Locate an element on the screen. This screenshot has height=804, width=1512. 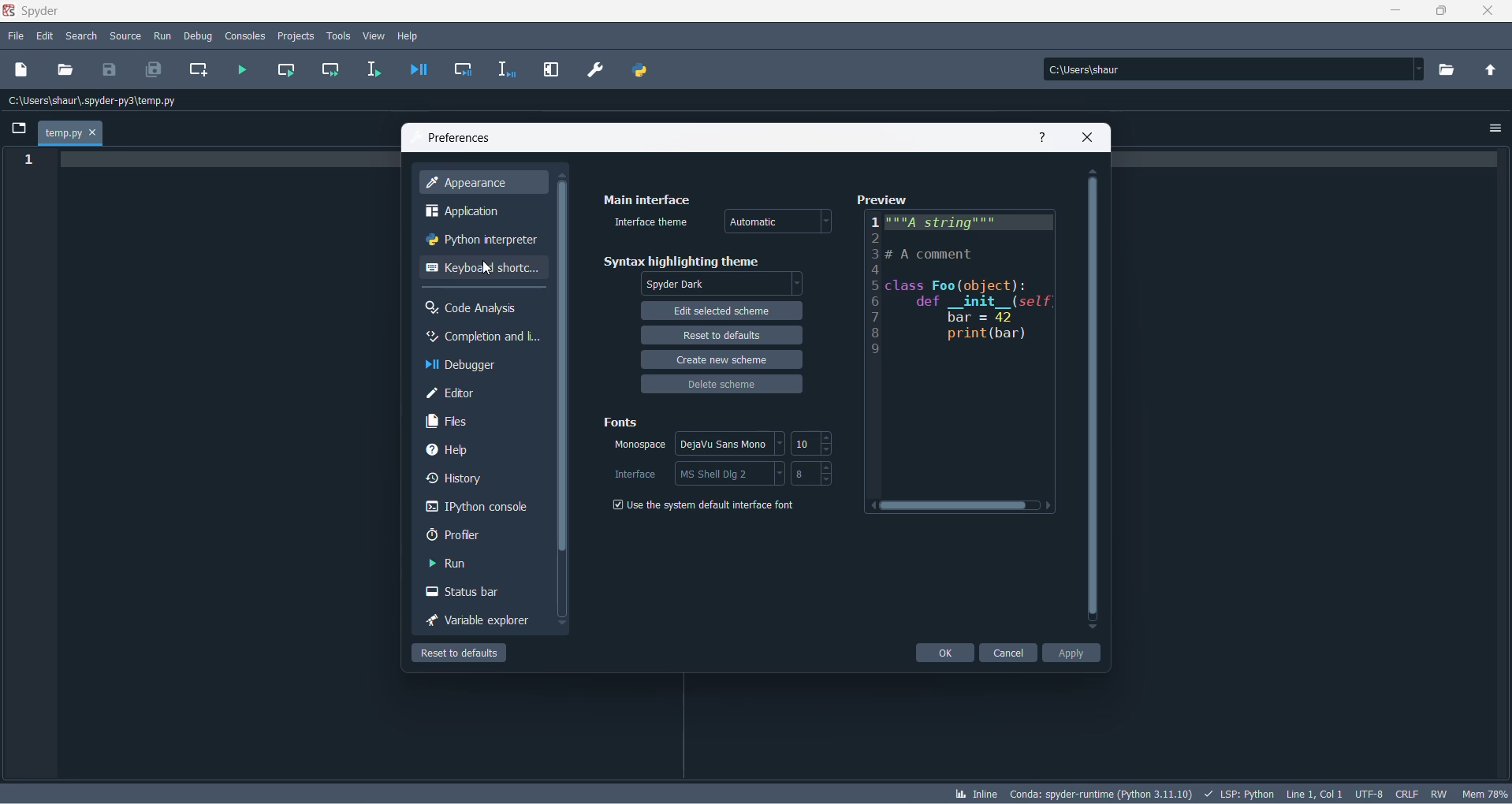
increment is located at coordinates (825, 467).